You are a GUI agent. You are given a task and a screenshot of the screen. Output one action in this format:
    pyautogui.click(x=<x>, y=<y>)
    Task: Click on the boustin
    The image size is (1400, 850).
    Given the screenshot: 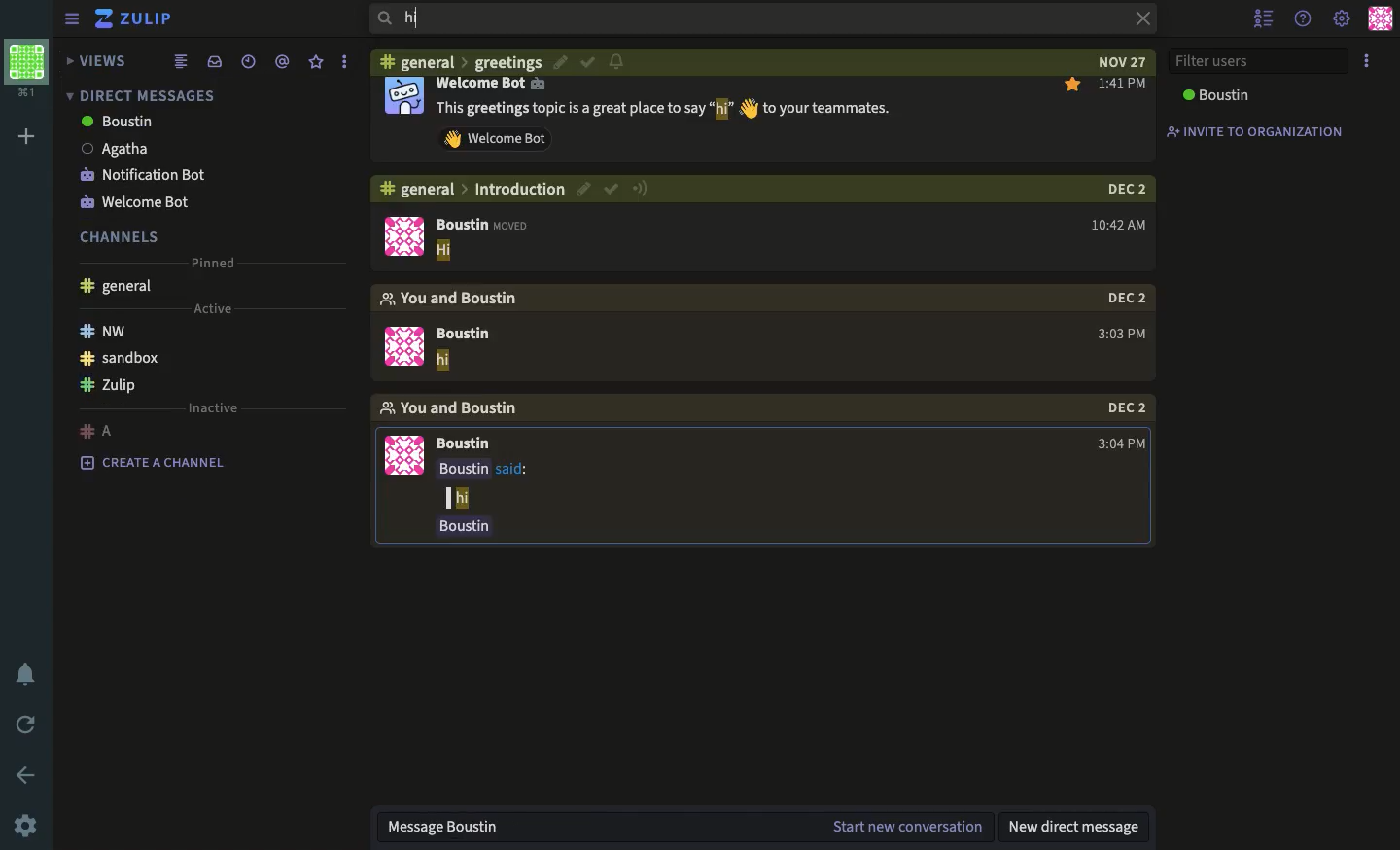 What is the action you would take?
    pyautogui.click(x=1214, y=95)
    